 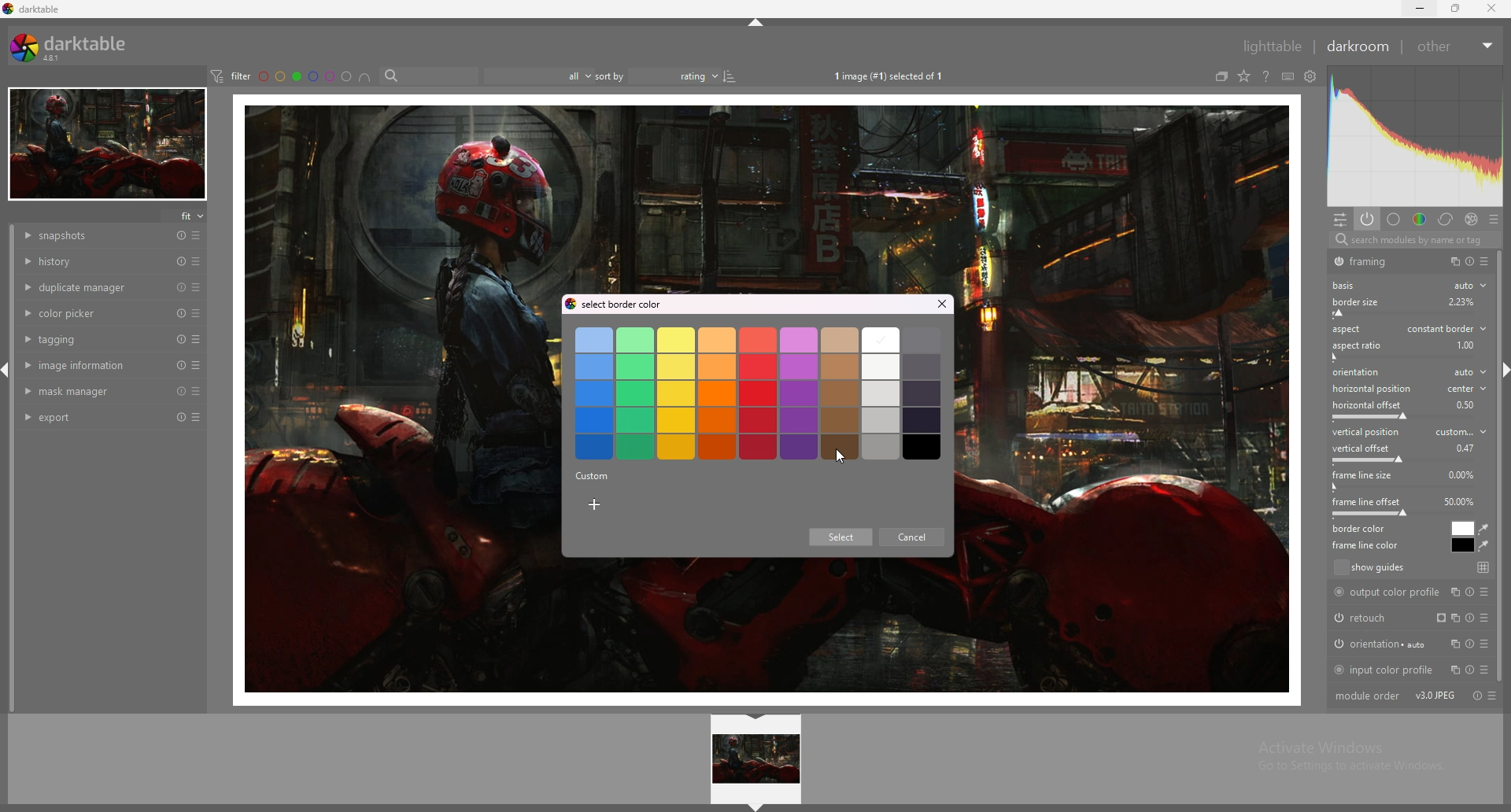 What do you see at coordinates (1364, 448) in the screenshot?
I see `vertical offset` at bounding box center [1364, 448].